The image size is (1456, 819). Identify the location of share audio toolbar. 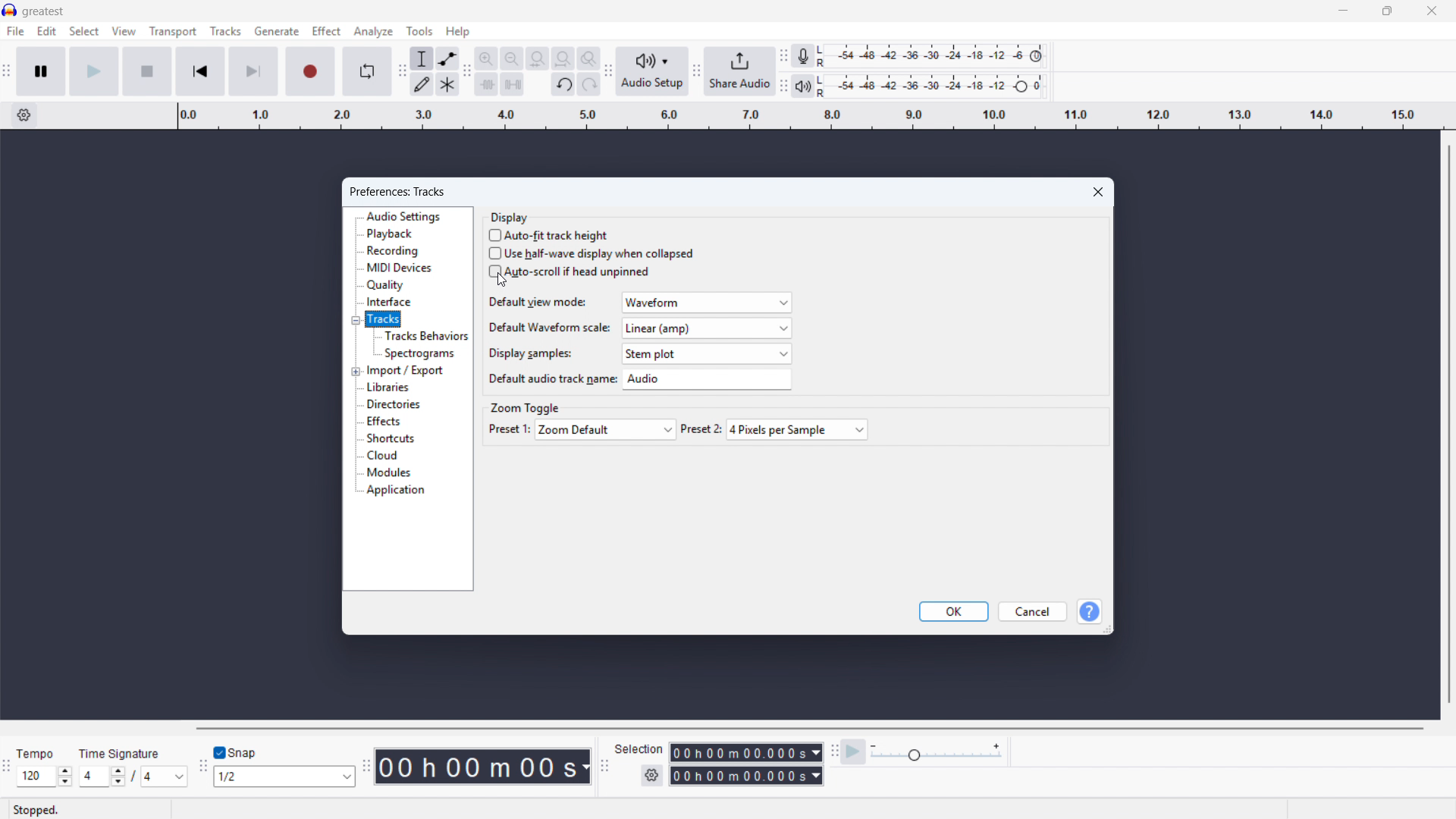
(696, 73).